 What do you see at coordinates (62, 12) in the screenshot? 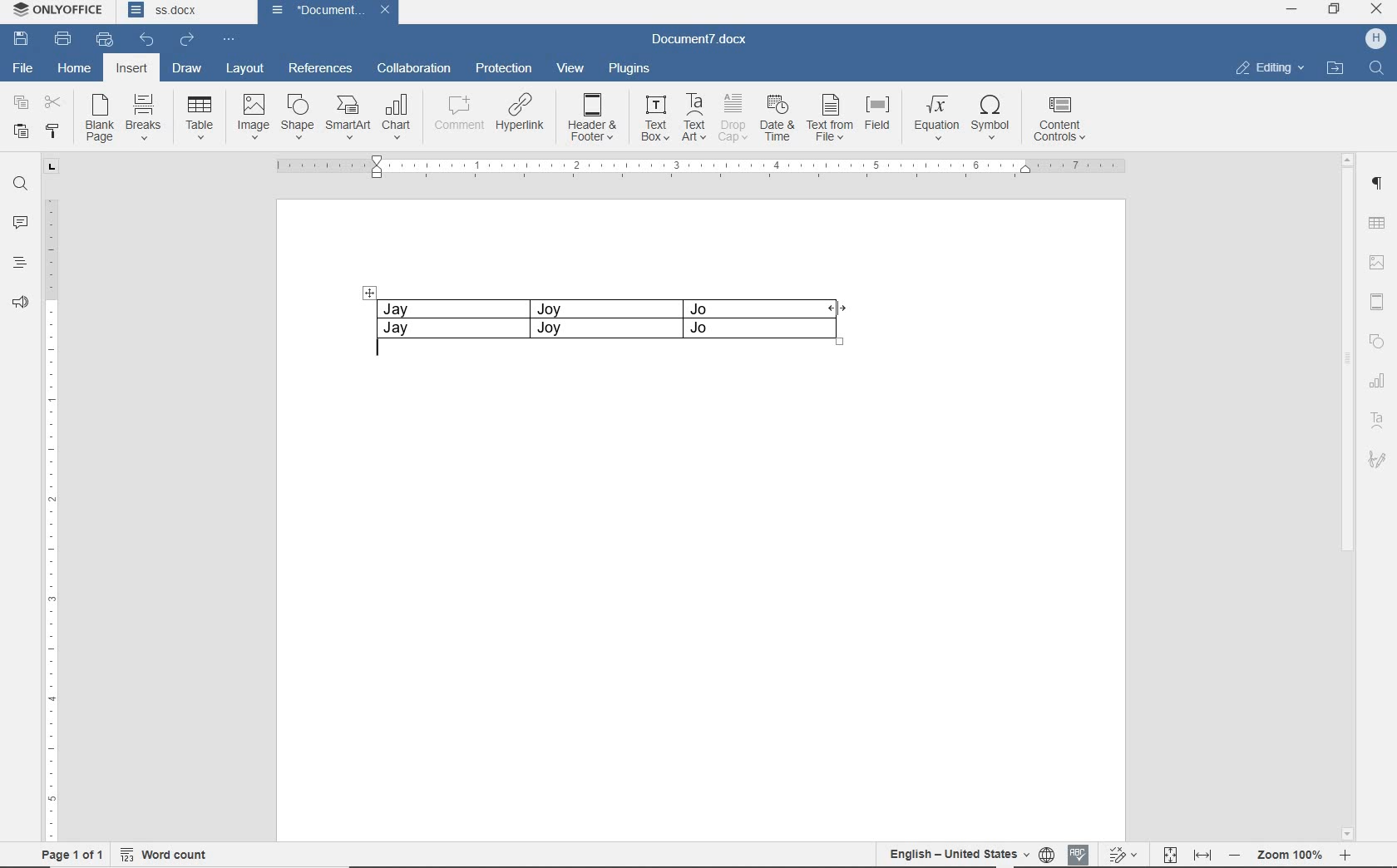
I see `SYSTEM NAME` at bounding box center [62, 12].